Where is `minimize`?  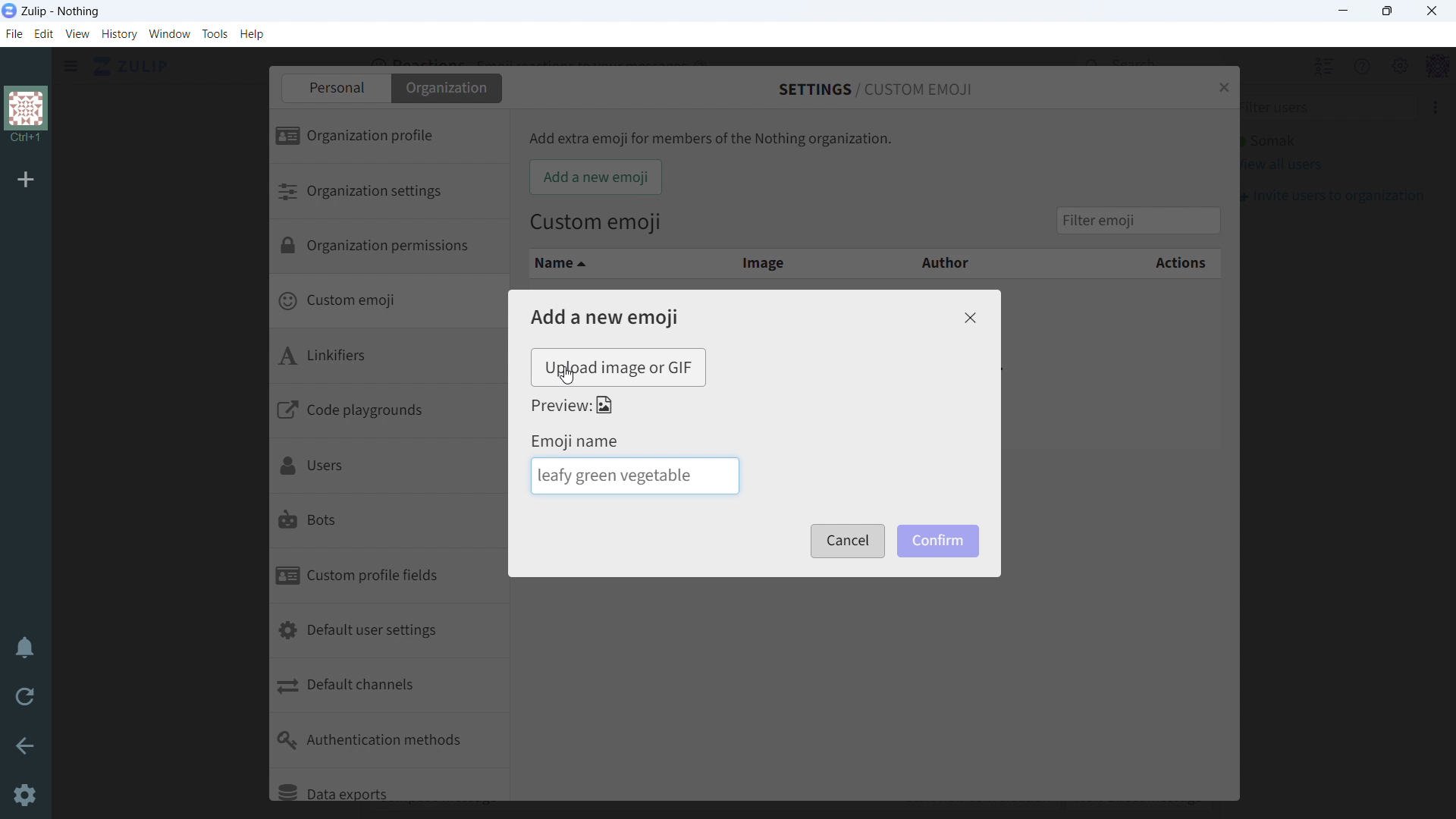 minimize is located at coordinates (1345, 11).